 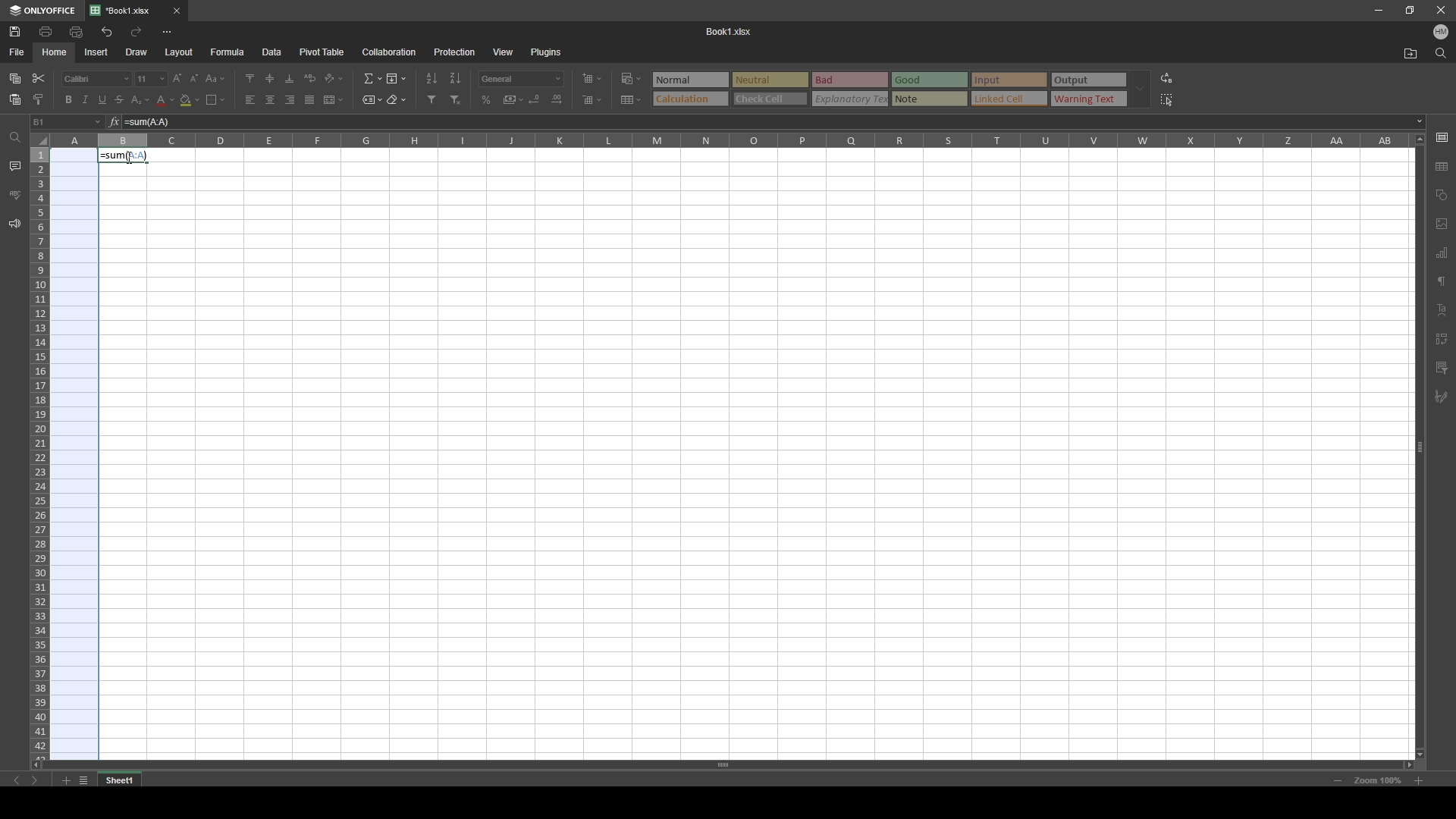 What do you see at coordinates (14, 31) in the screenshot?
I see `save` at bounding box center [14, 31].